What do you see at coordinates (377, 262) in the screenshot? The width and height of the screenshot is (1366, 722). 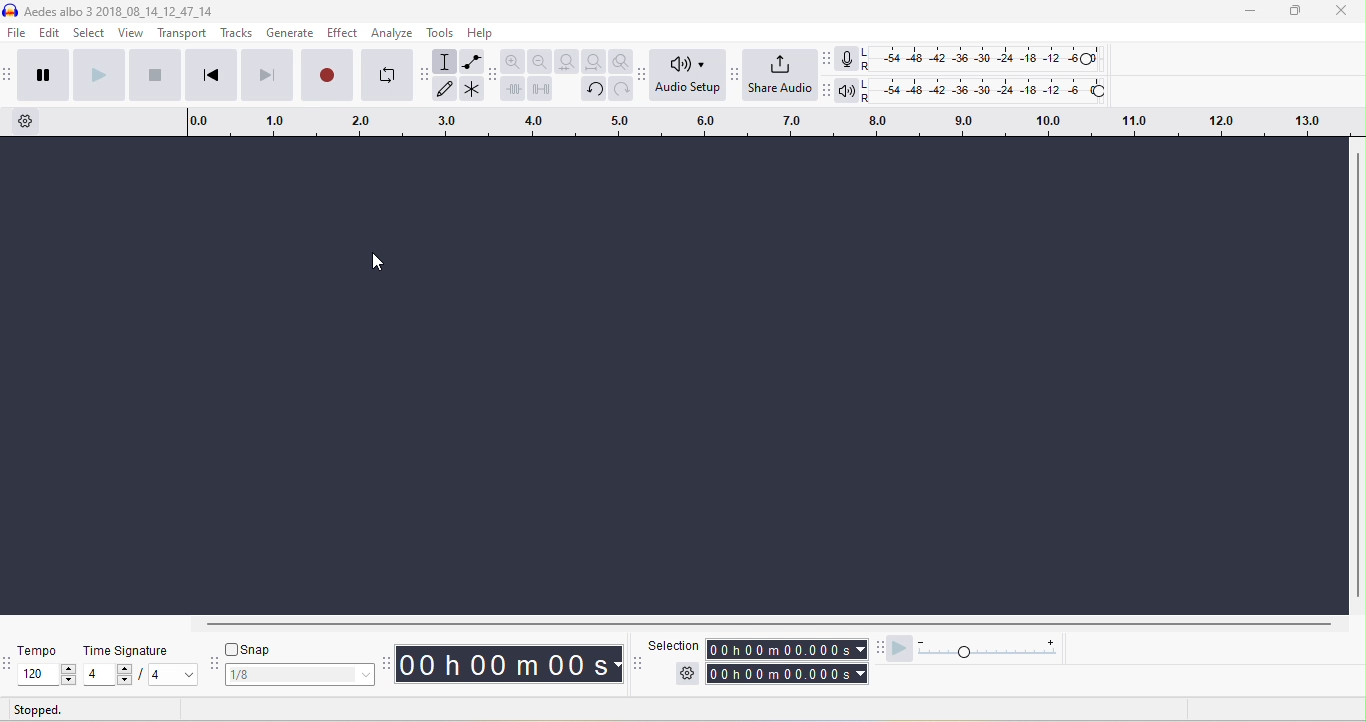 I see `cursor` at bounding box center [377, 262].